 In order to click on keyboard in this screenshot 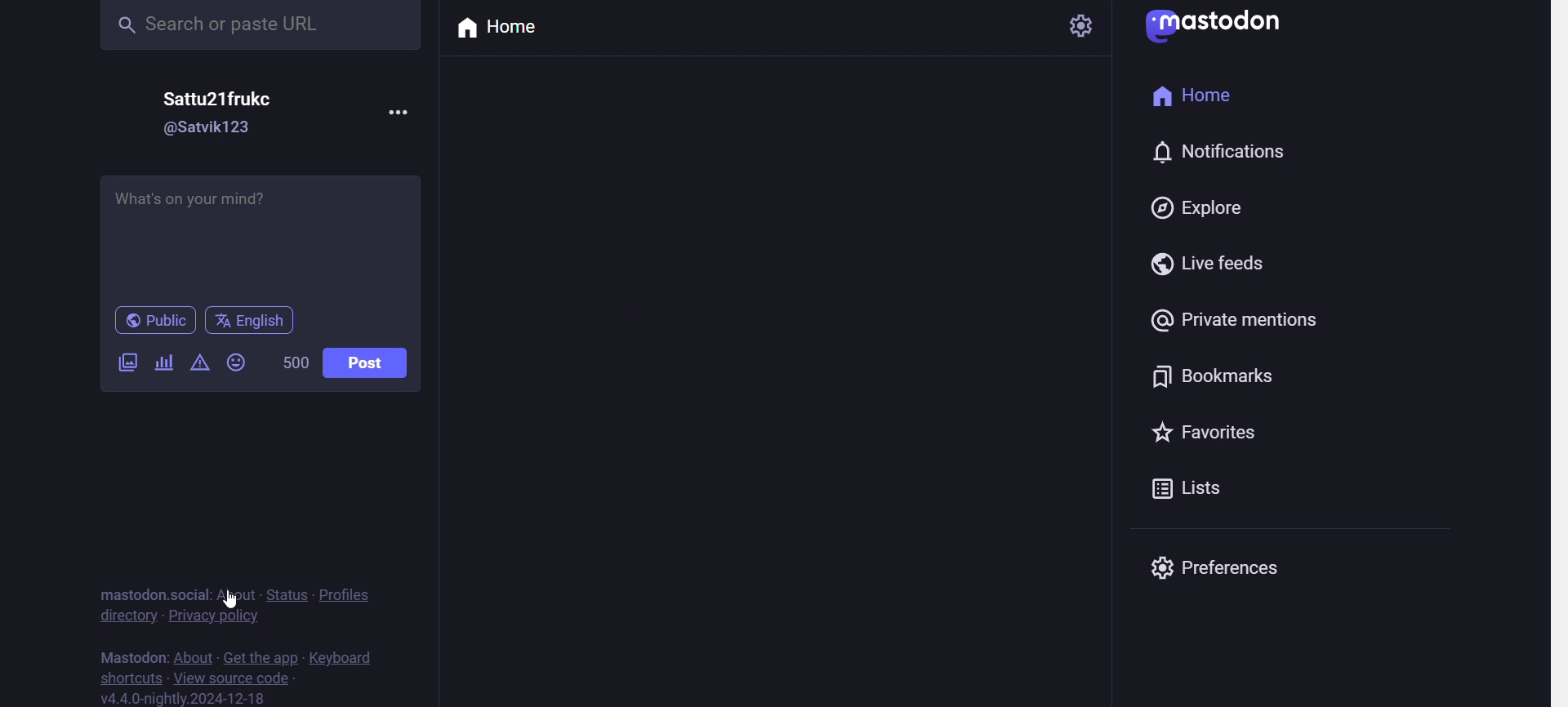, I will do `click(350, 657)`.